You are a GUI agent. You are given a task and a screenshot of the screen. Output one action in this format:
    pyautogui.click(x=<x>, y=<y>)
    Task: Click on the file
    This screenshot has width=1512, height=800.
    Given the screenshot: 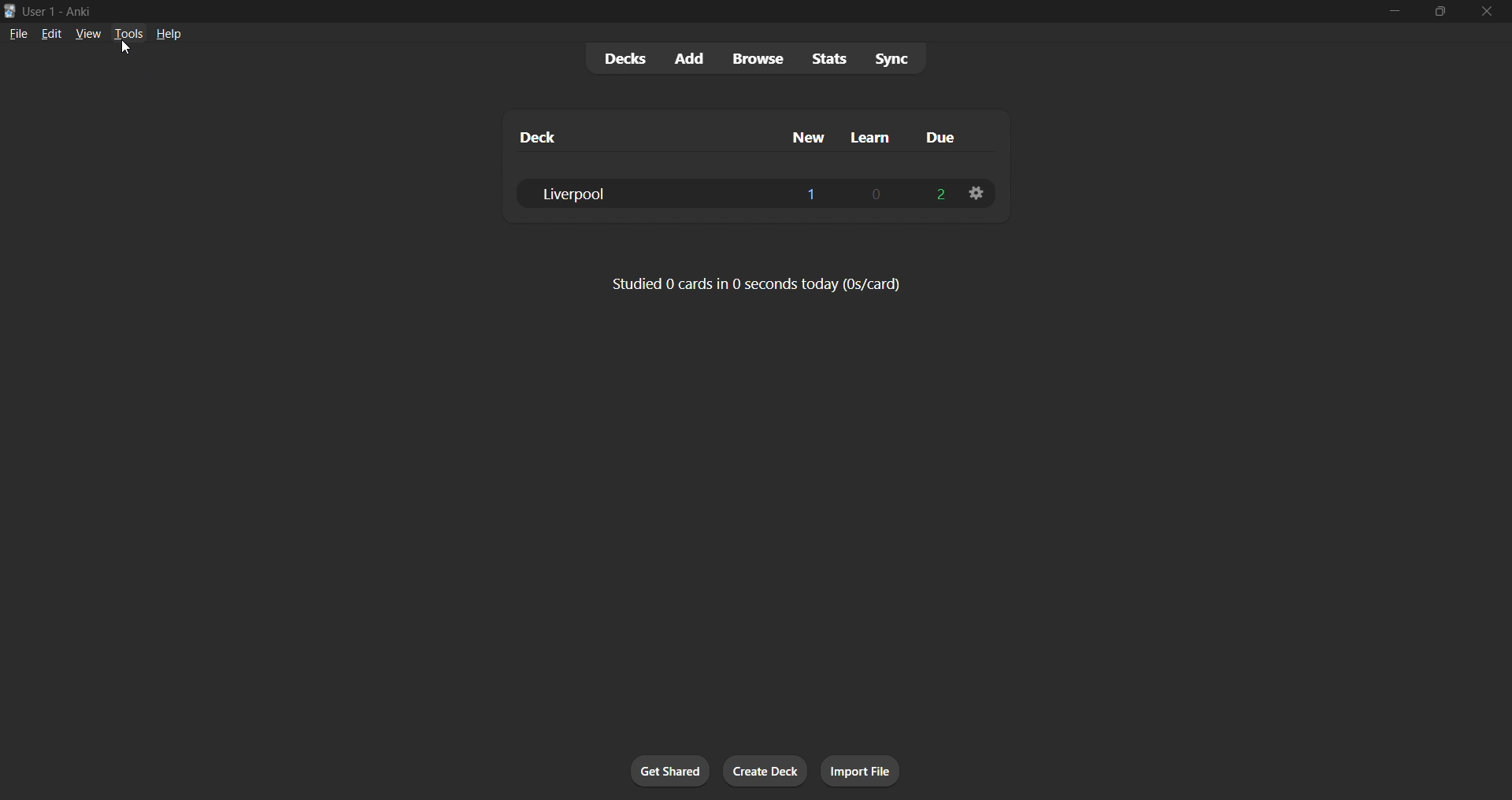 What is the action you would take?
    pyautogui.click(x=16, y=34)
    